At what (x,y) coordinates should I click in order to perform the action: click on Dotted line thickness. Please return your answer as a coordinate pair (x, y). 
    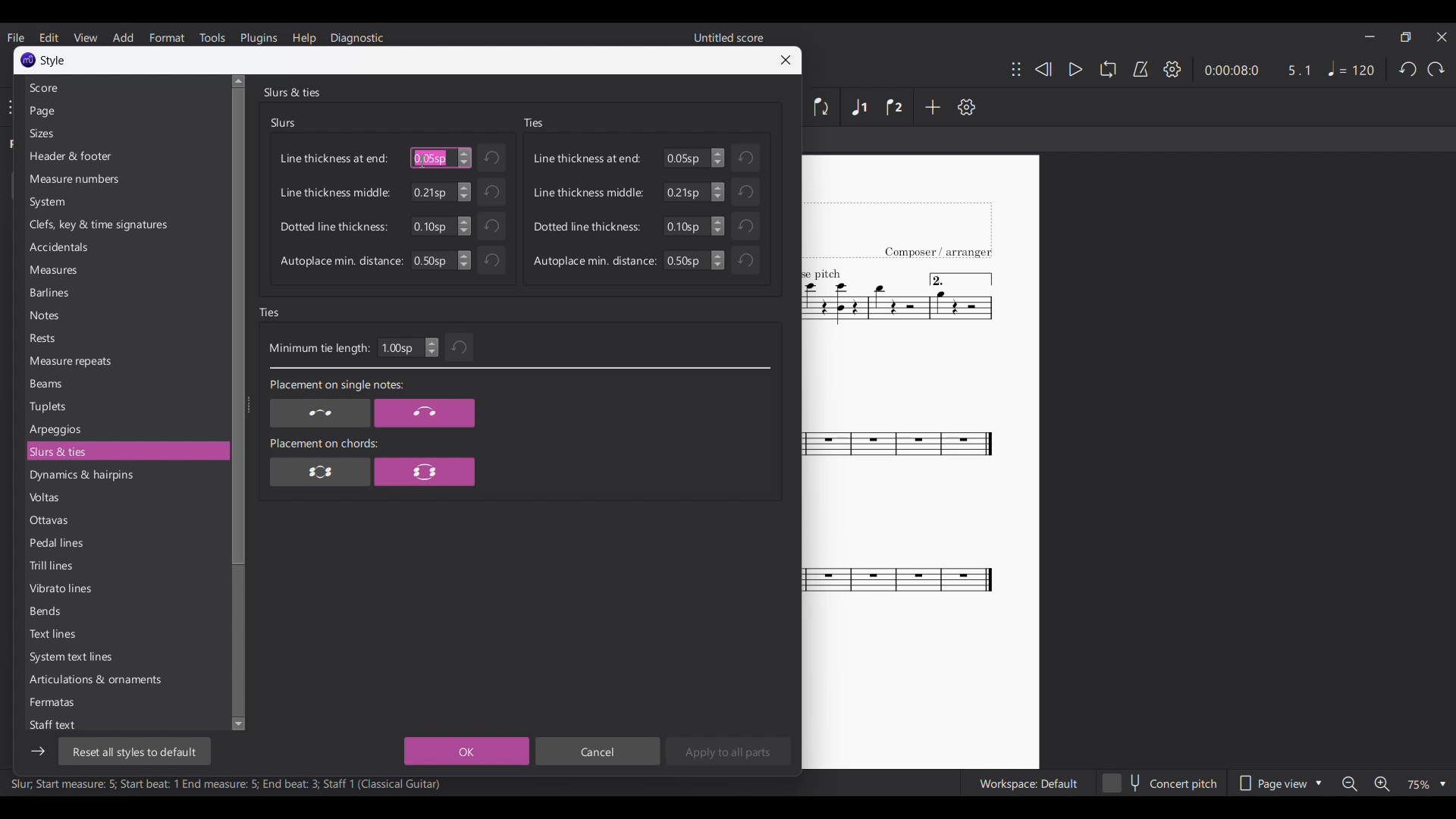
    Looking at the image, I should click on (334, 227).